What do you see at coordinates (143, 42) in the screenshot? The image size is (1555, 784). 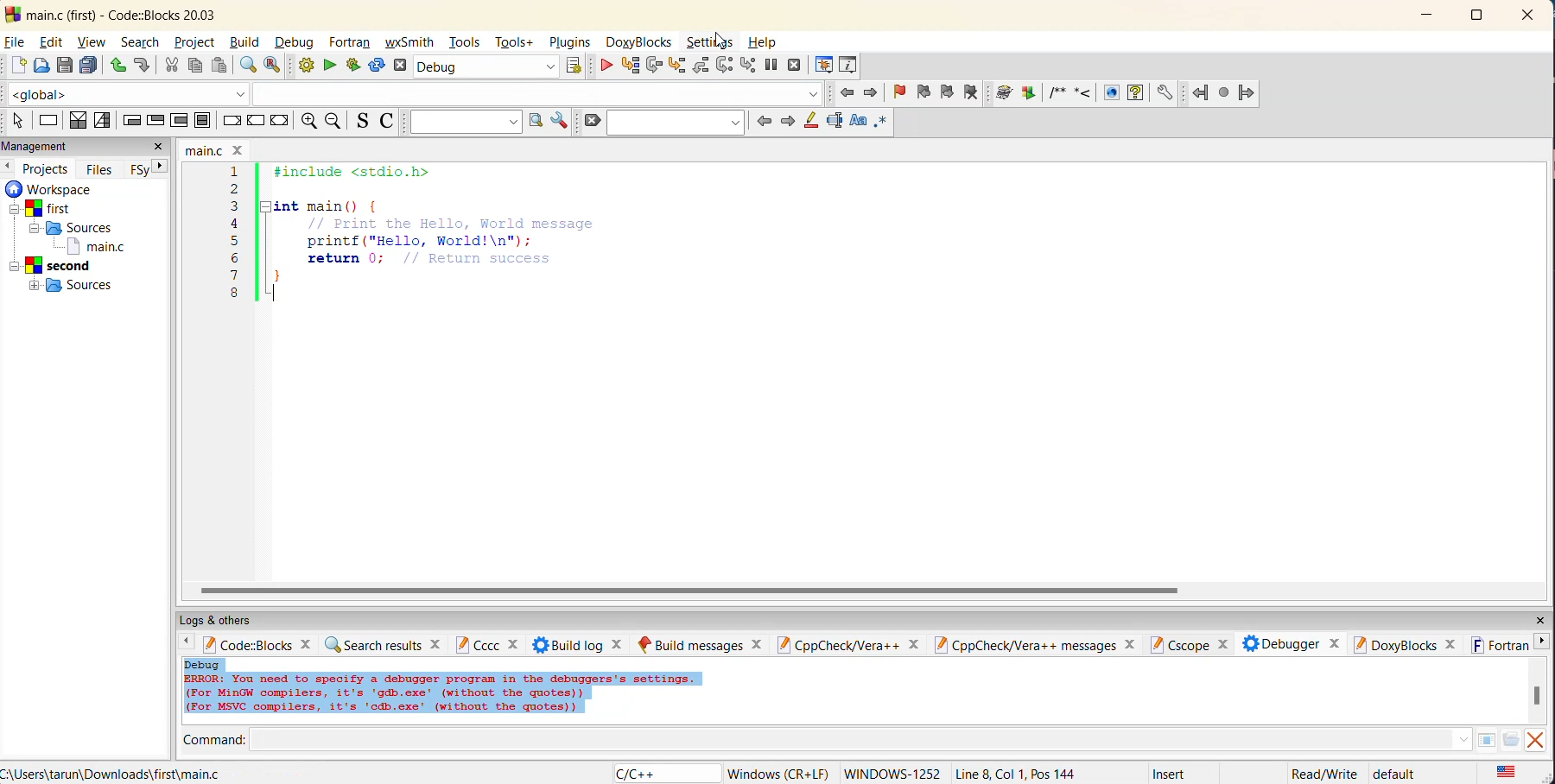 I see `search` at bounding box center [143, 42].